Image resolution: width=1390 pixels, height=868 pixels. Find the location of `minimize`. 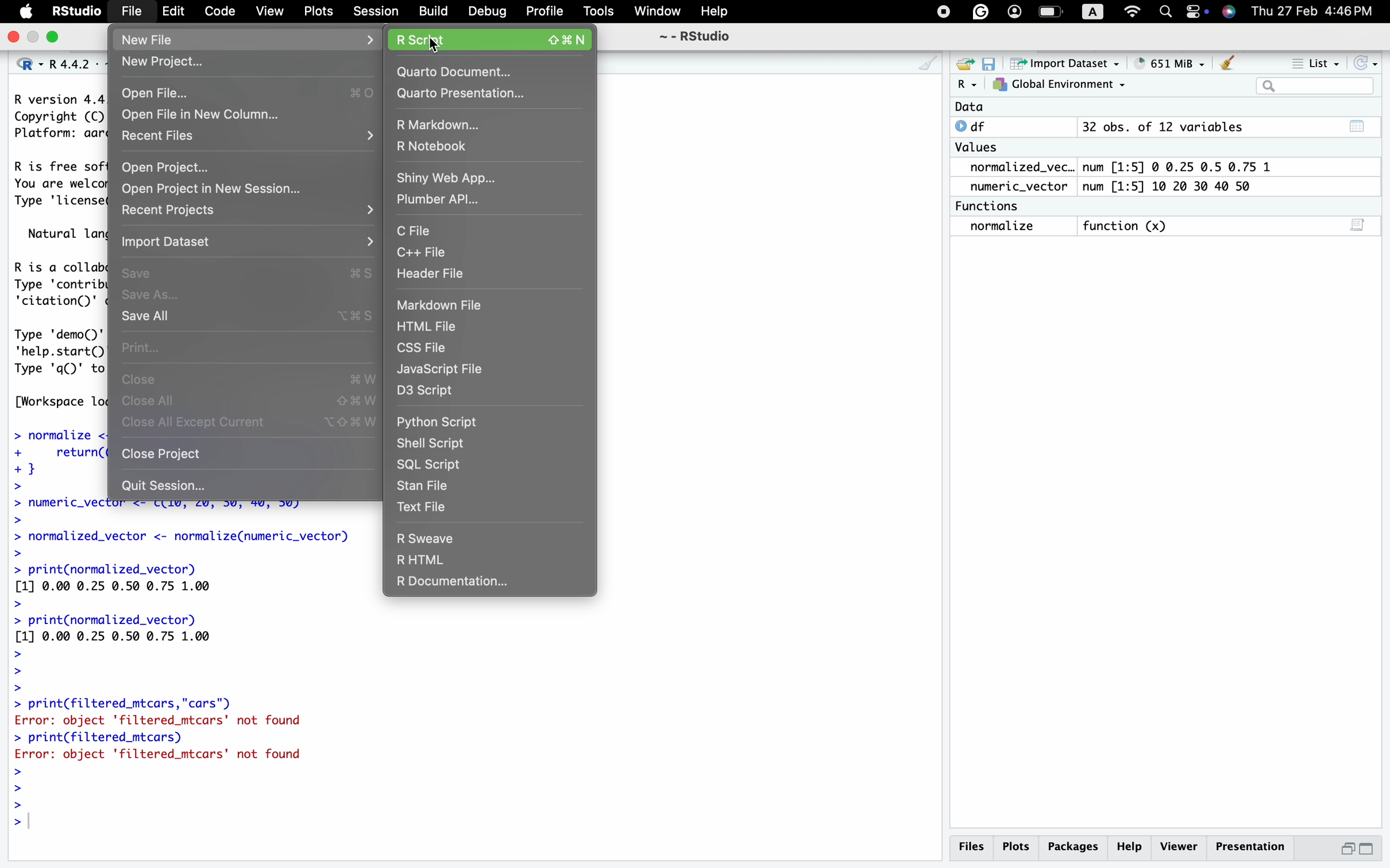

minimize is located at coordinates (35, 38).